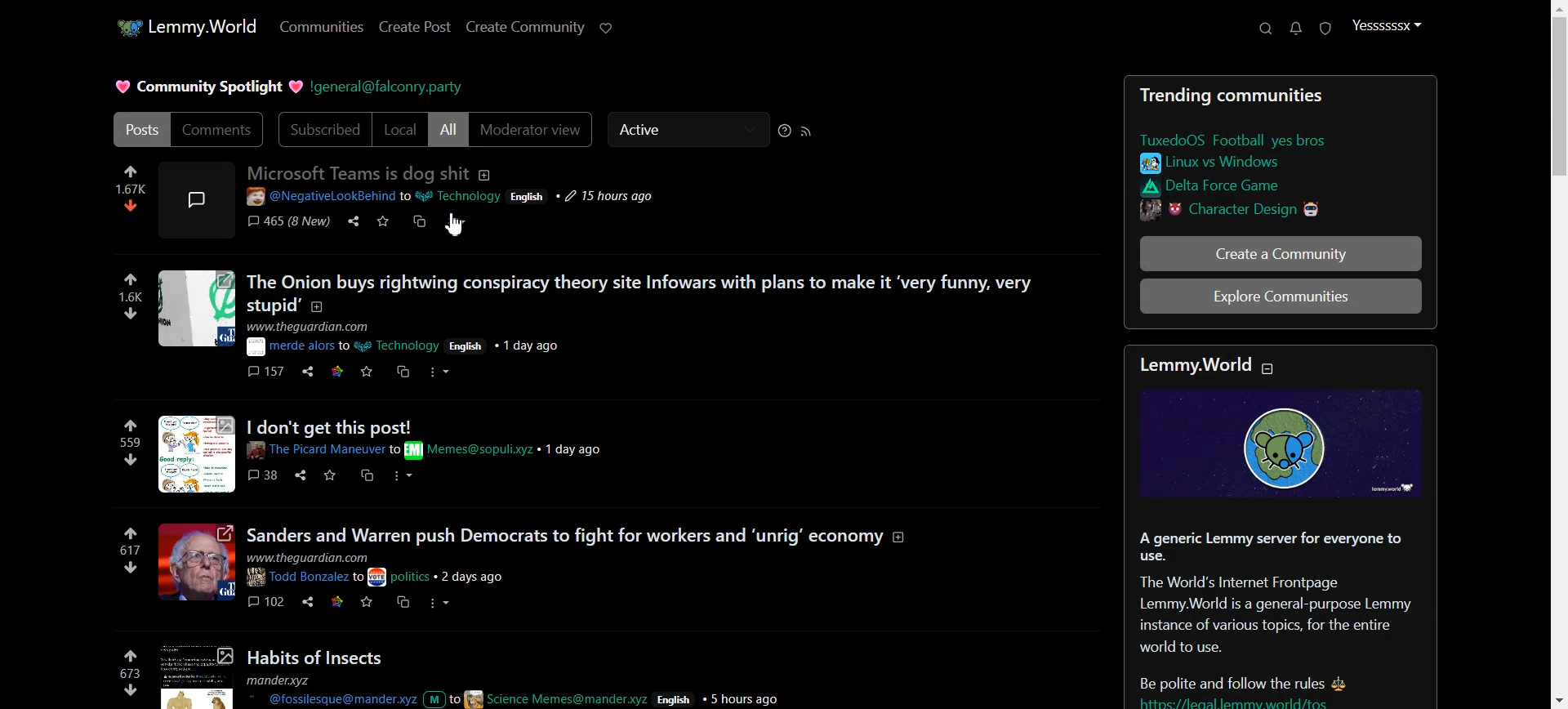  I want to click on like, so click(131, 426).